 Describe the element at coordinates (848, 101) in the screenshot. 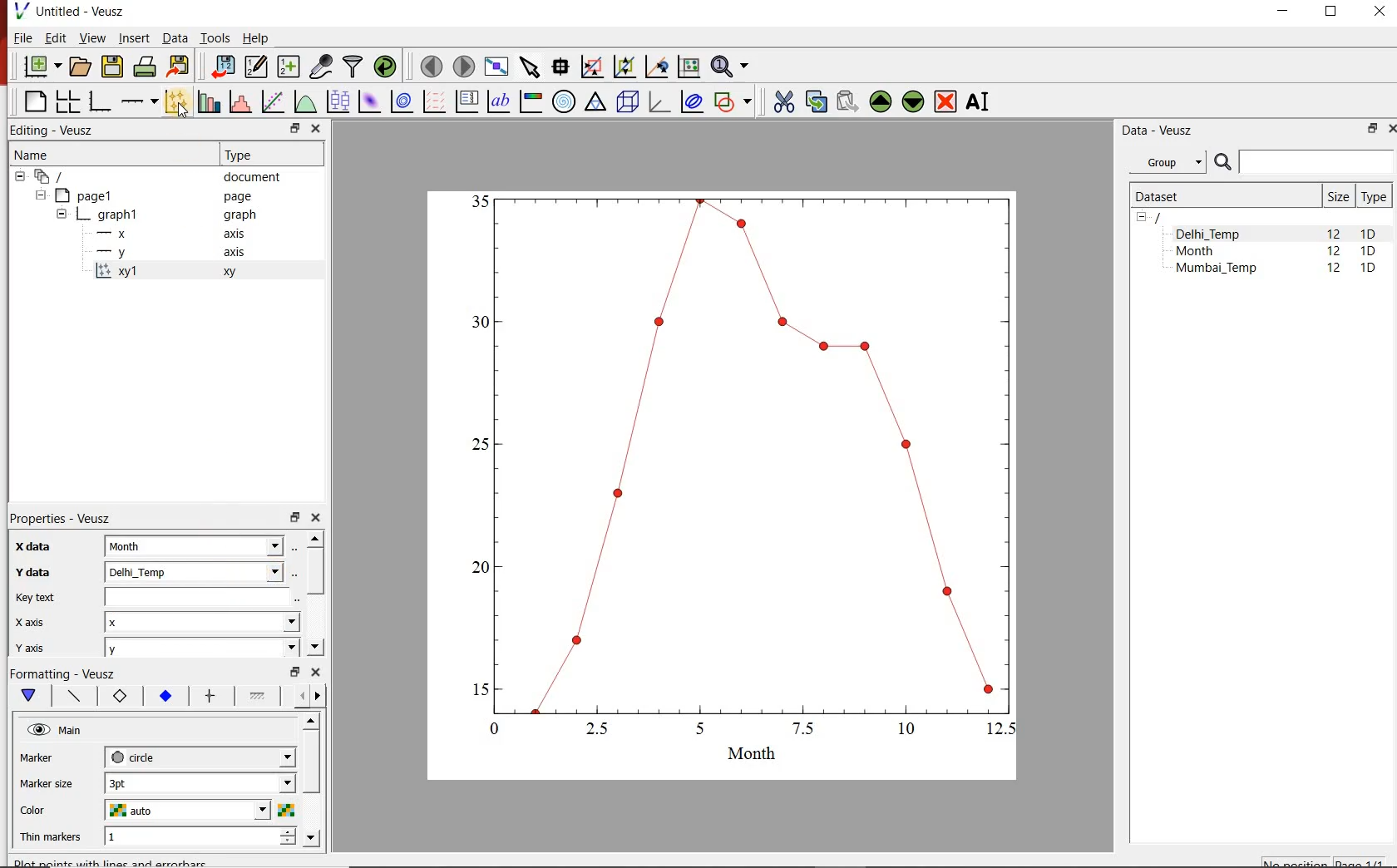

I see `paste widget from the clipboard` at that location.